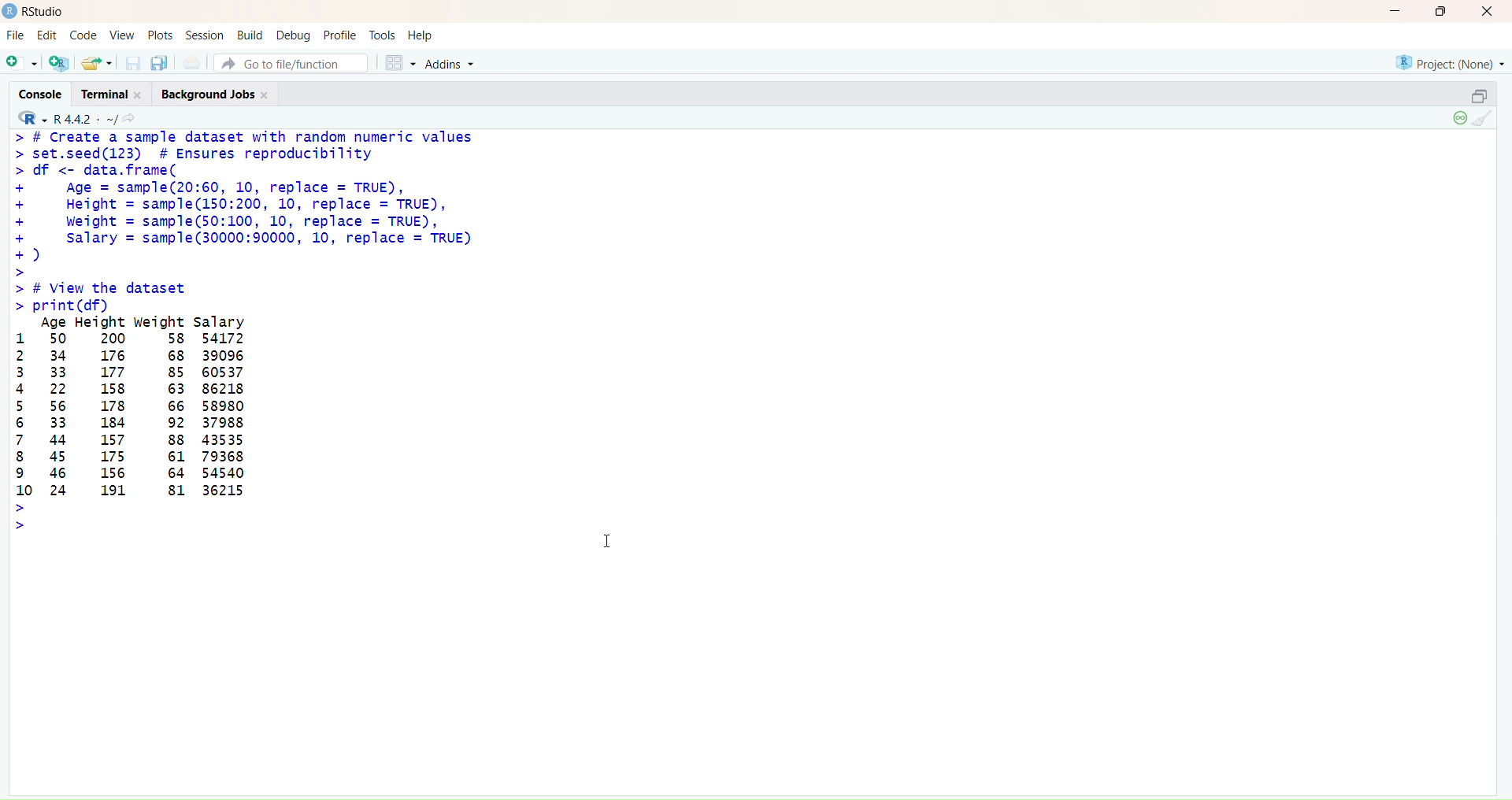 The width and height of the screenshot is (1512, 800). Describe the element at coordinates (1395, 12) in the screenshot. I see `Minimize` at that location.